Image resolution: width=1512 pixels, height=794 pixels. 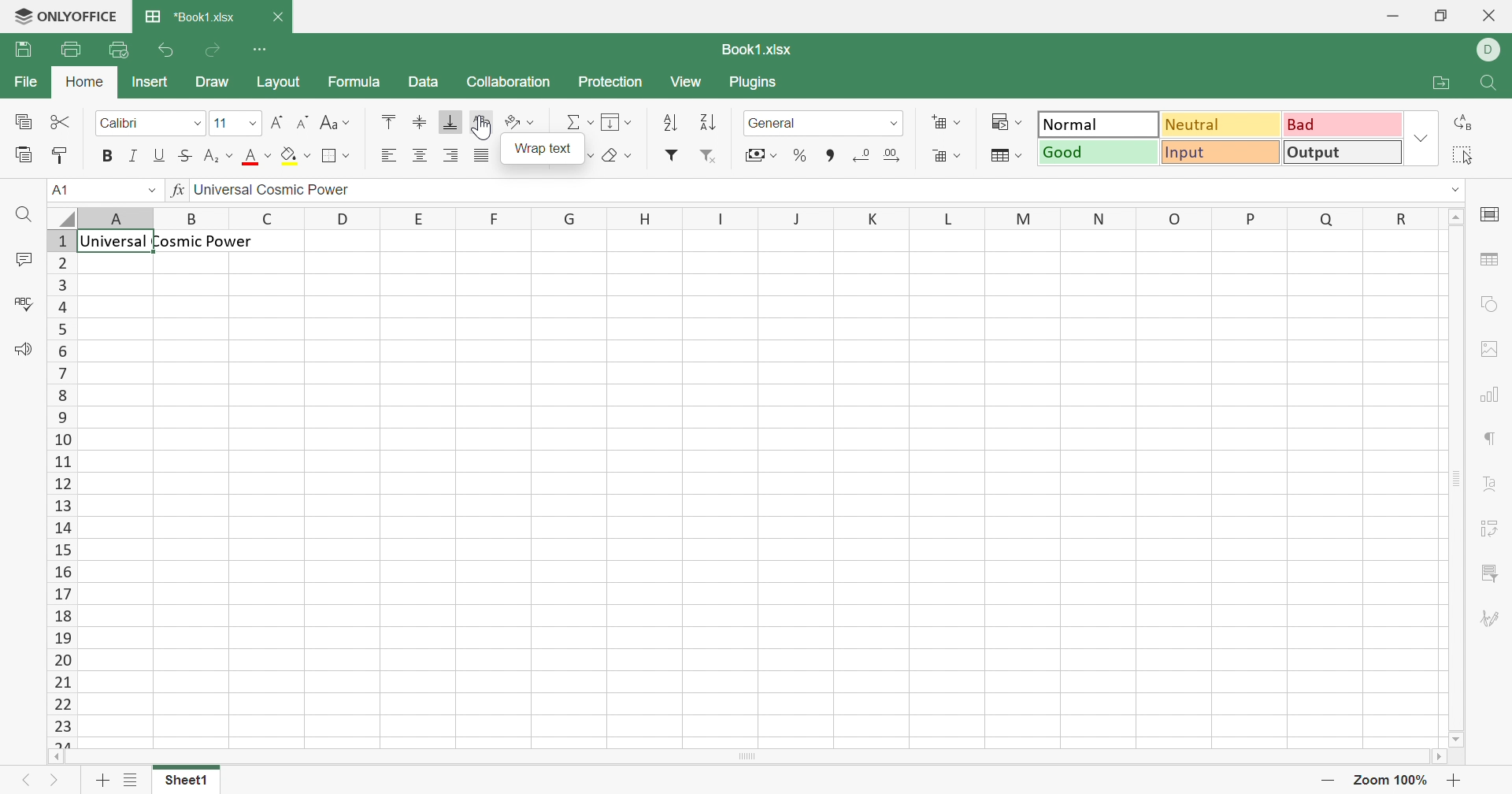 What do you see at coordinates (143, 191) in the screenshot?
I see `Drop Down` at bounding box center [143, 191].